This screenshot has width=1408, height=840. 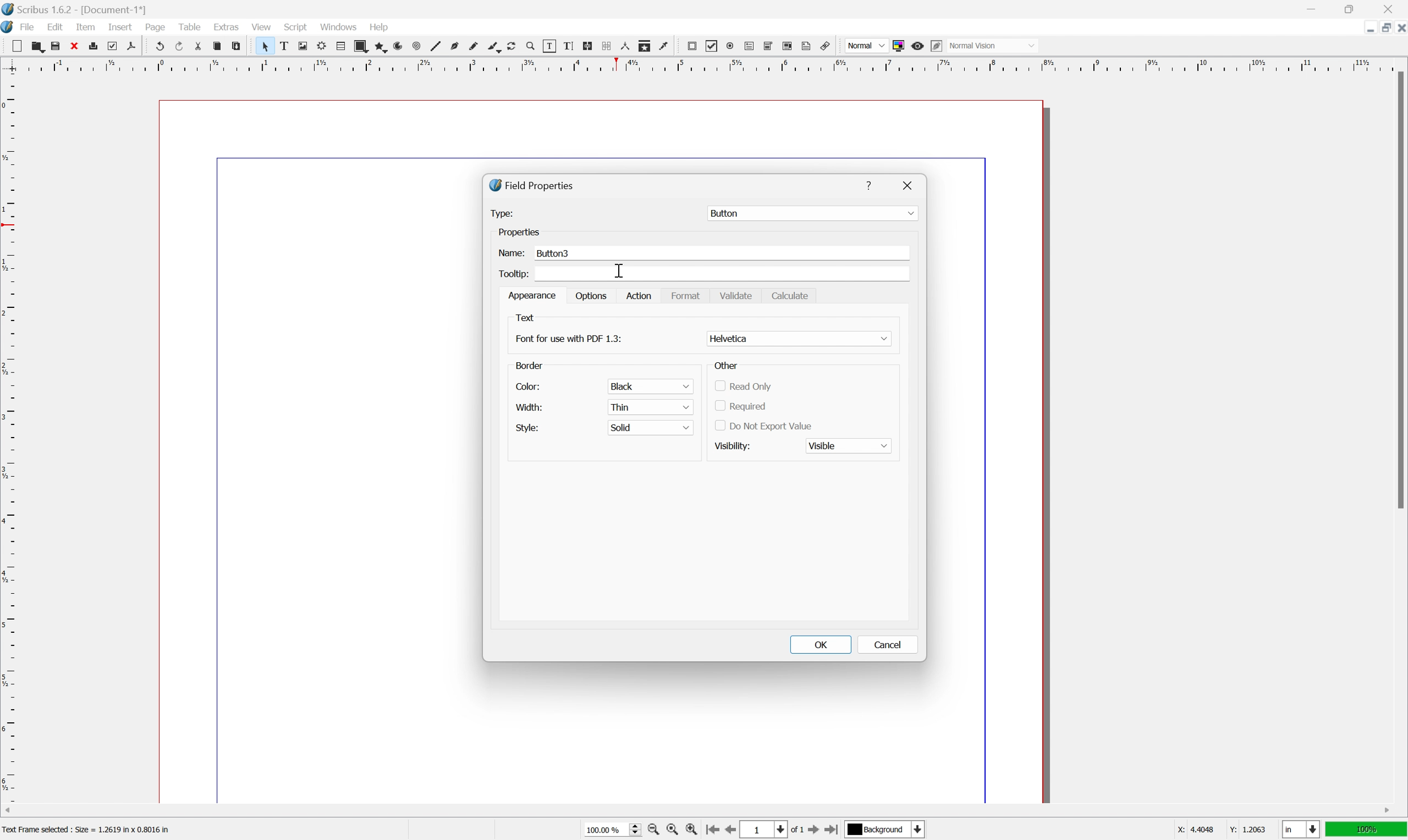 I want to click on Close, so click(x=912, y=186).